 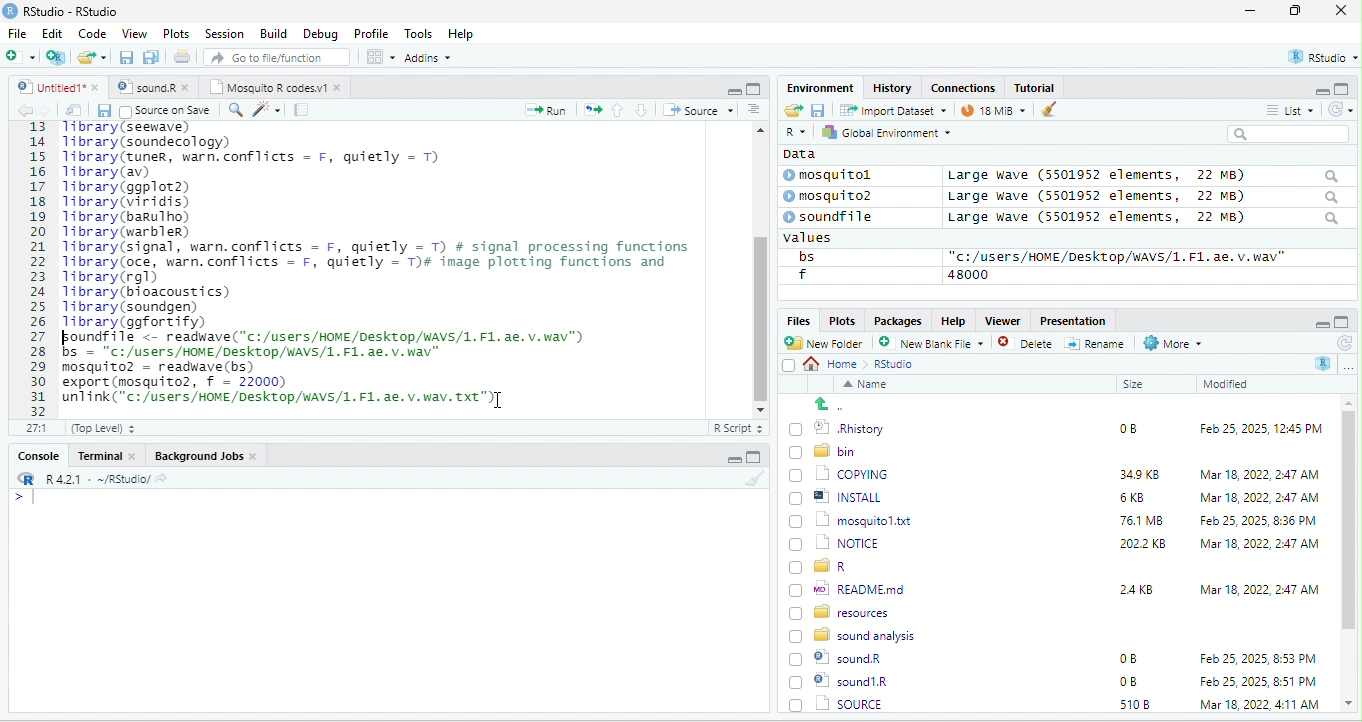 What do you see at coordinates (1141, 519) in the screenshot?
I see `76.1 MB` at bounding box center [1141, 519].